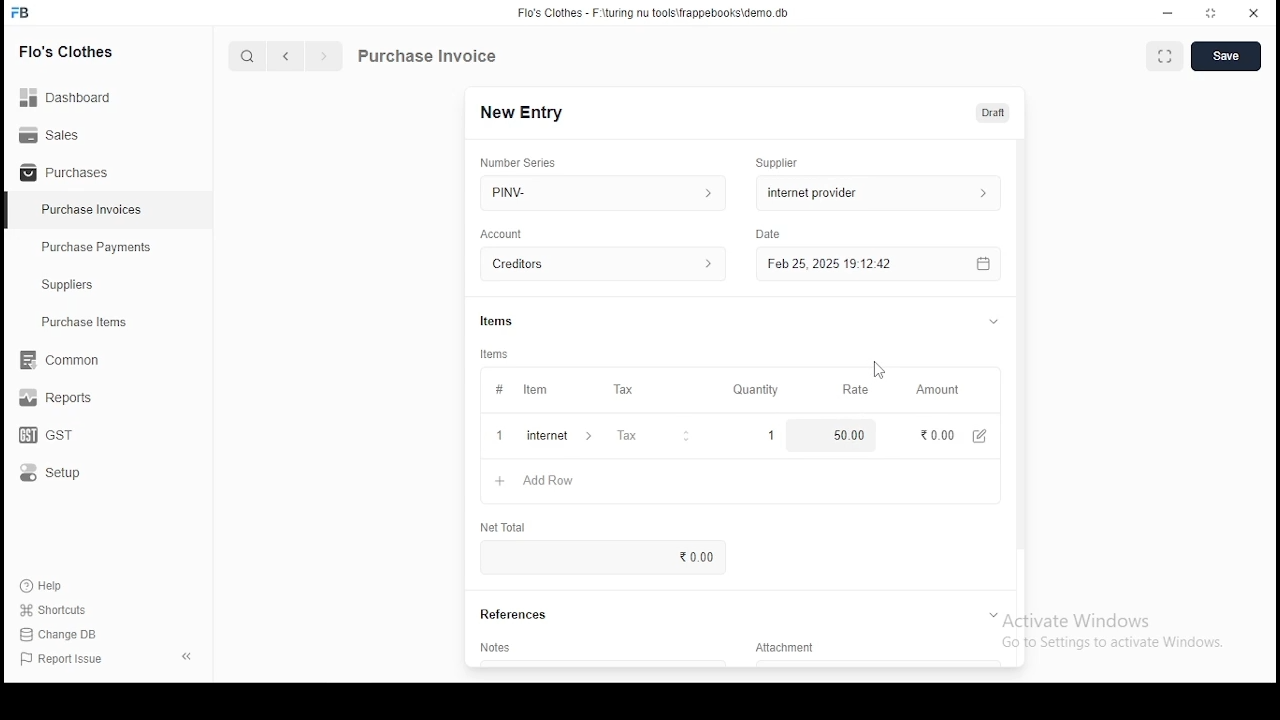  What do you see at coordinates (65, 173) in the screenshot?
I see `Purchases` at bounding box center [65, 173].